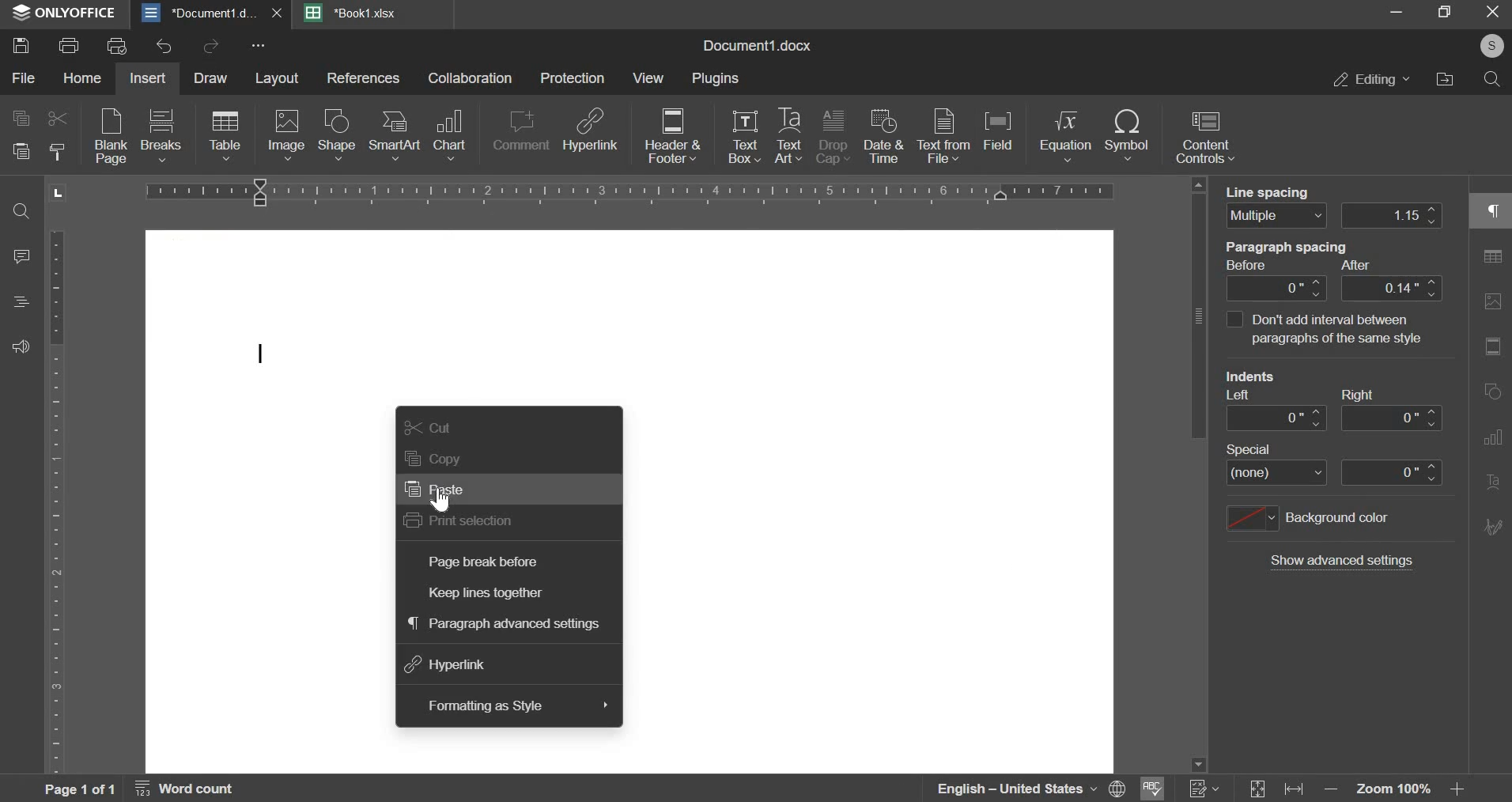  Describe the element at coordinates (1491, 81) in the screenshot. I see `search` at that location.